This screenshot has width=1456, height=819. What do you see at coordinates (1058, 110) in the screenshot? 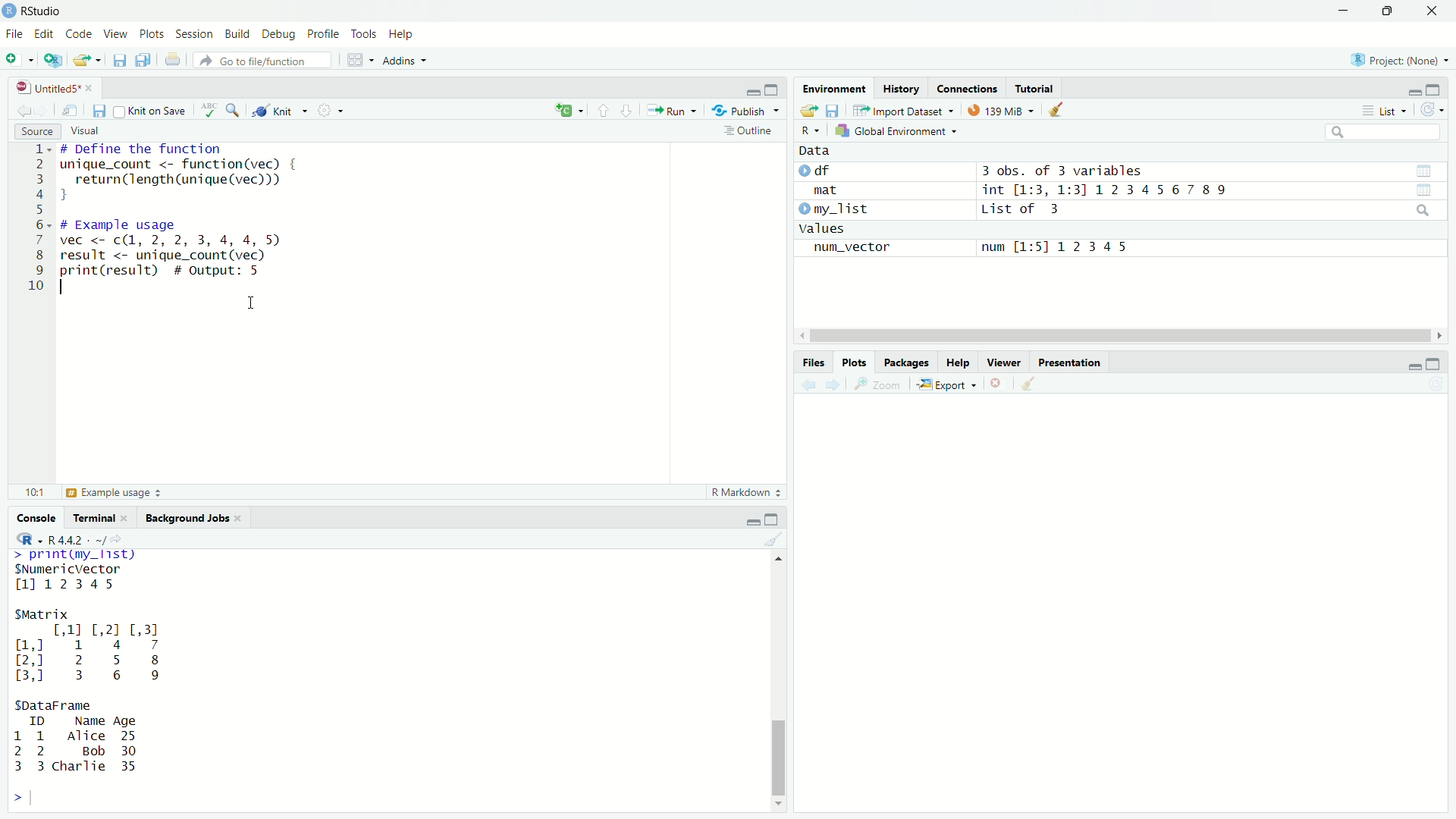
I see `clear data` at bounding box center [1058, 110].